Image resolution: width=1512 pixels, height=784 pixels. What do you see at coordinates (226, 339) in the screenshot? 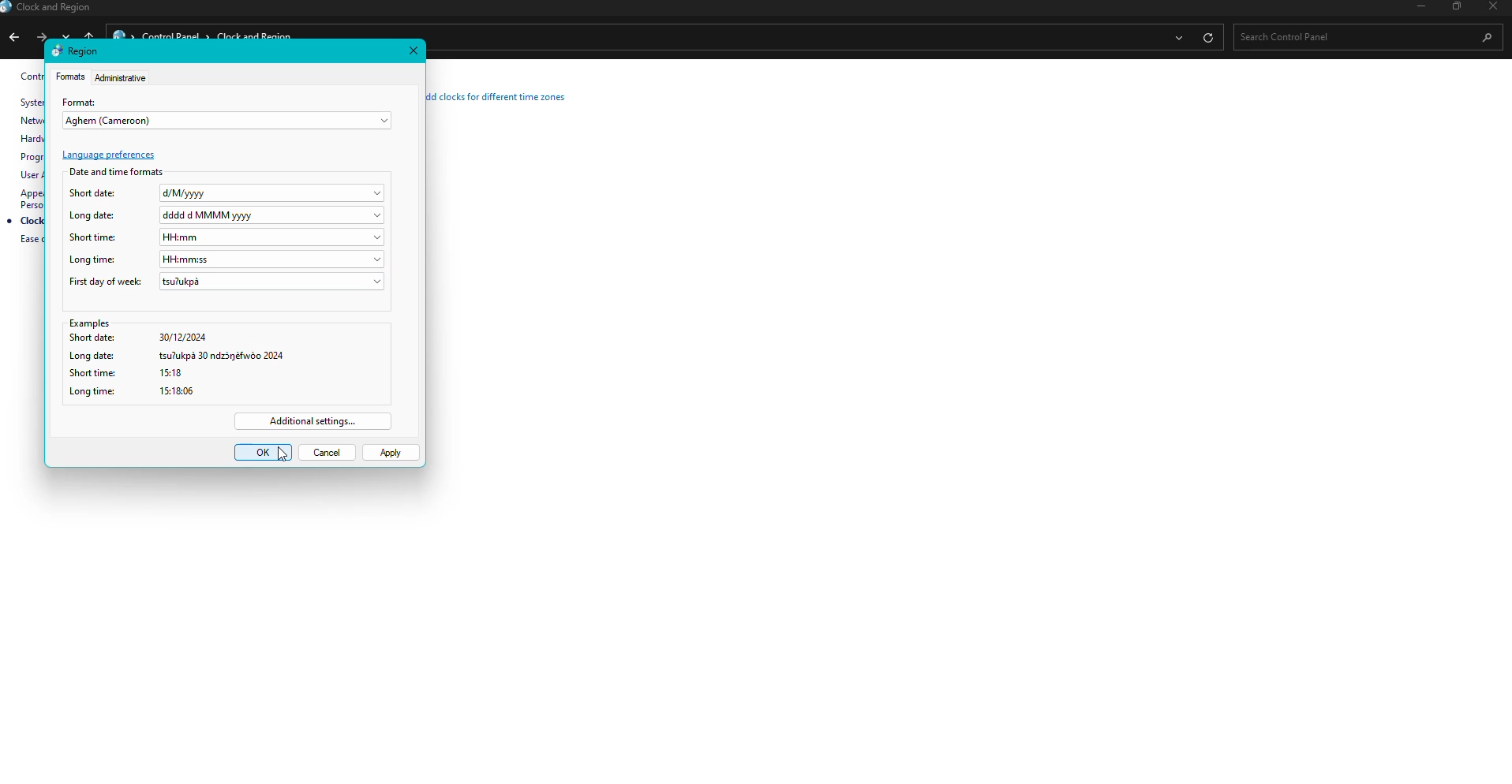
I see `short date` at bounding box center [226, 339].